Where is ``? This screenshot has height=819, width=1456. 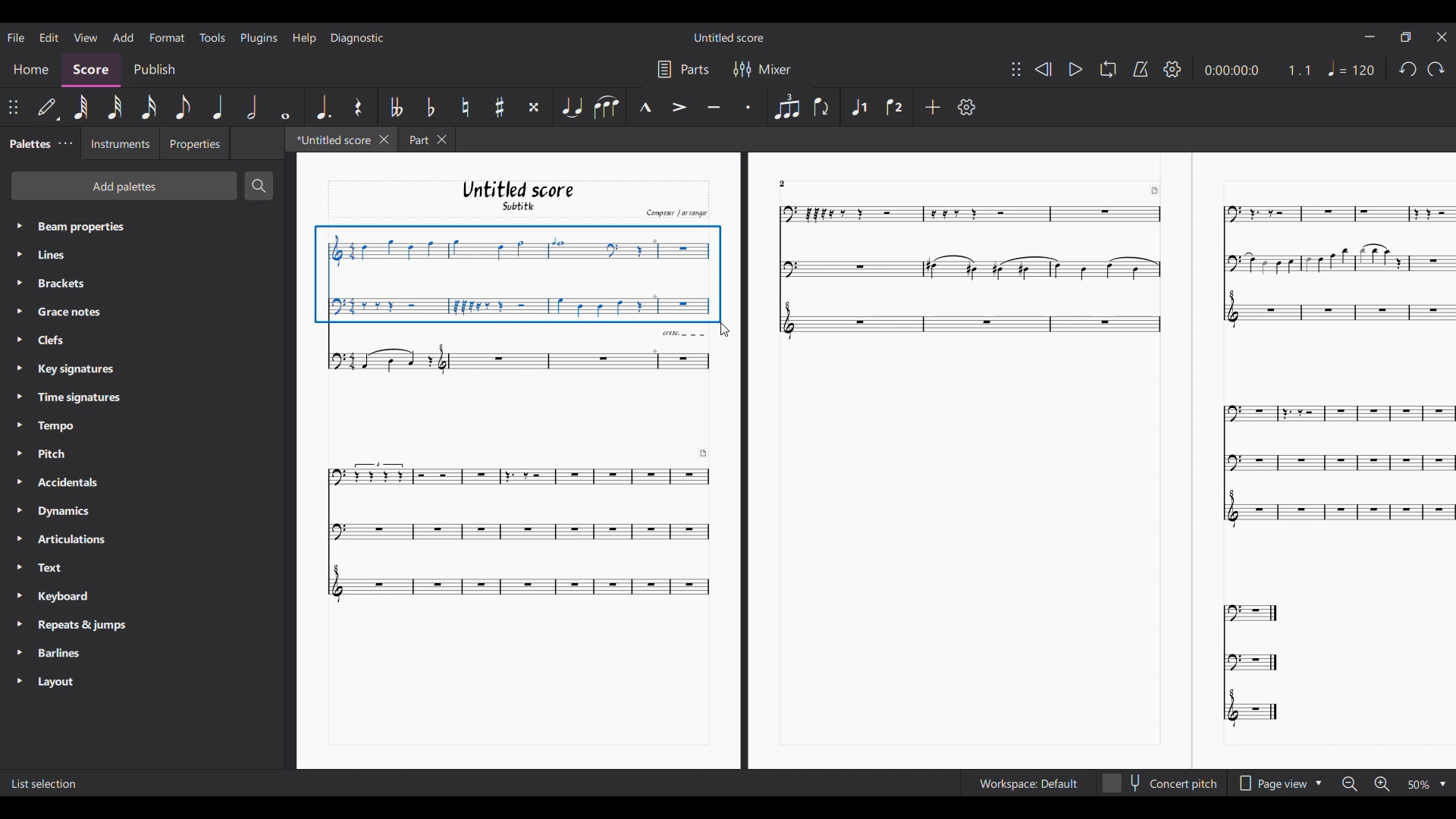
 is located at coordinates (21, 628).